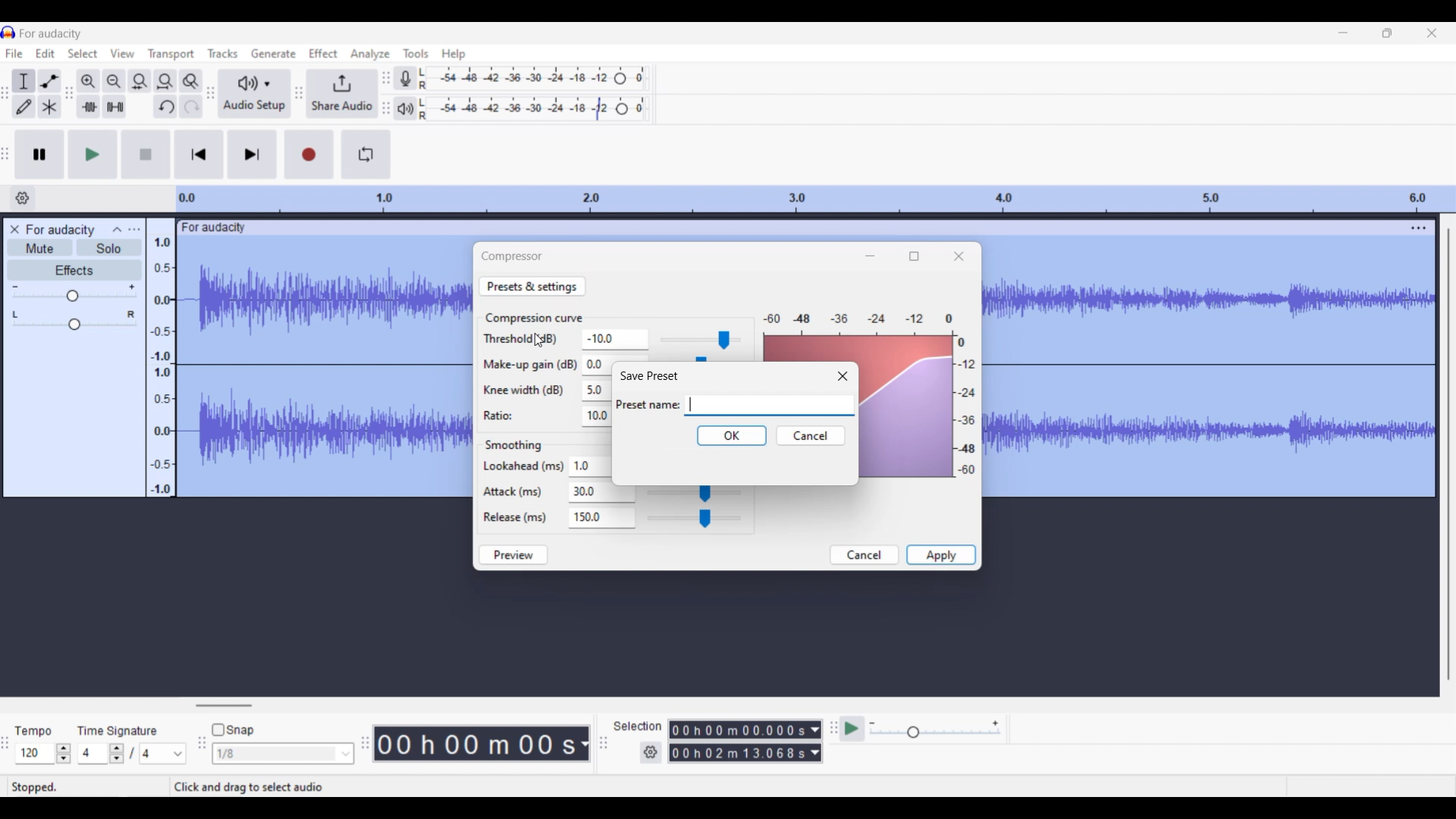  Describe the element at coordinates (115, 81) in the screenshot. I see `Zoom out` at that location.